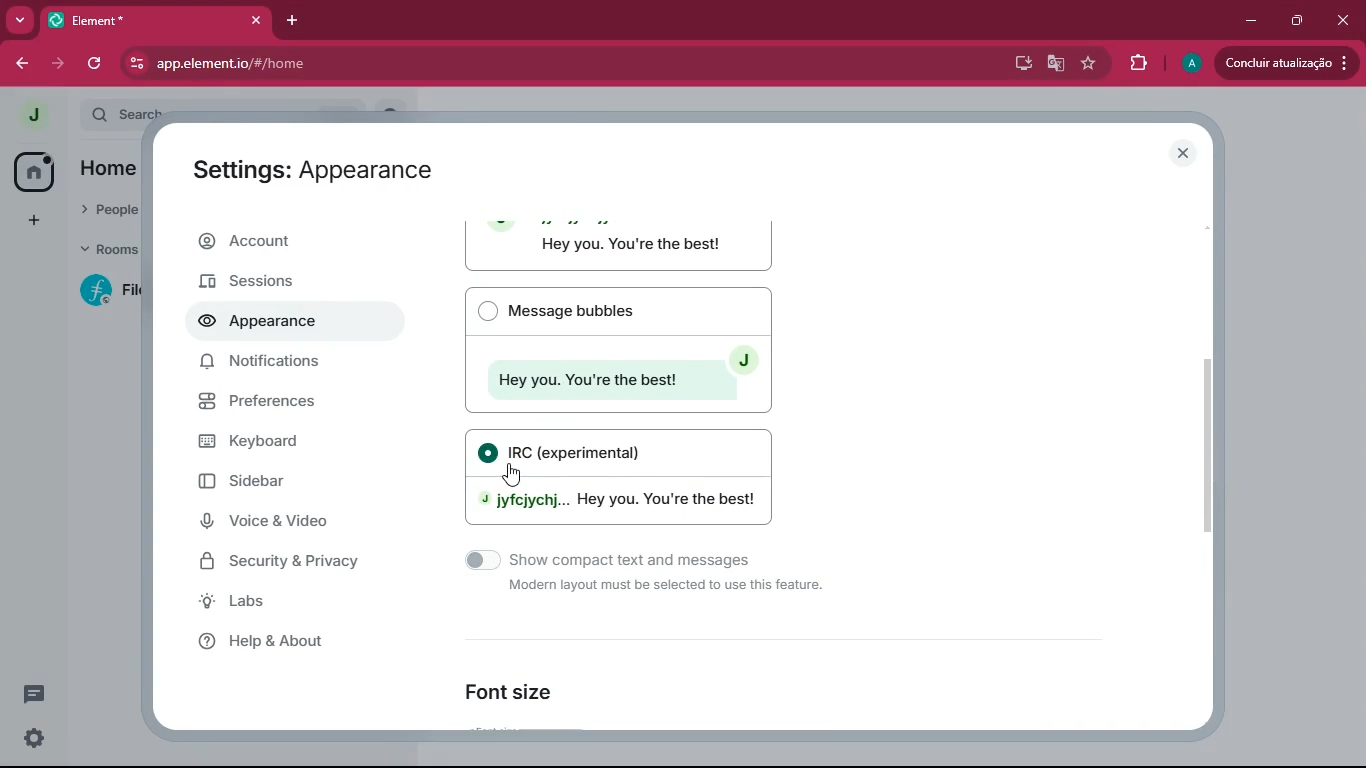 The image size is (1366, 768). What do you see at coordinates (298, 487) in the screenshot?
I see `sidebar` at bounding box center [298, 487].